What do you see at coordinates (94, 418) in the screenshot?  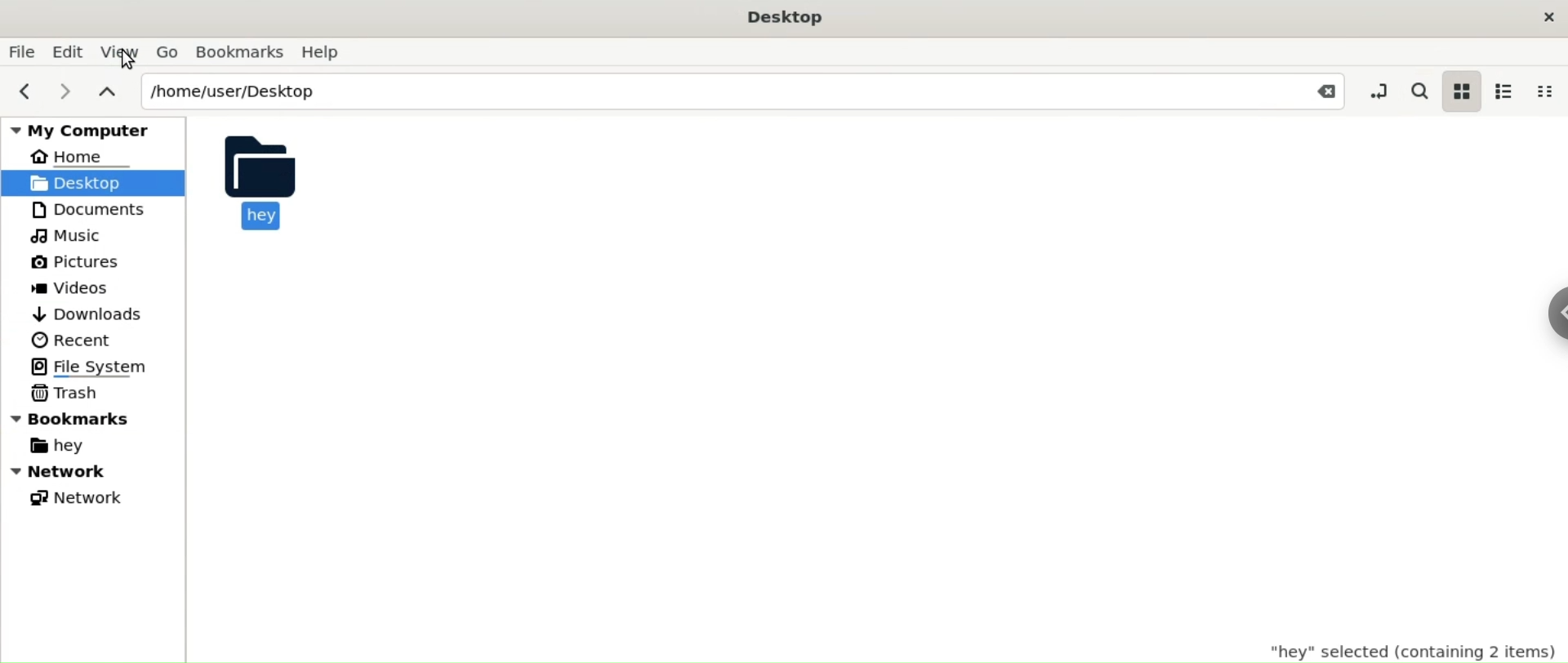 I see `Bookmarks` at bounding box center [94, 418].